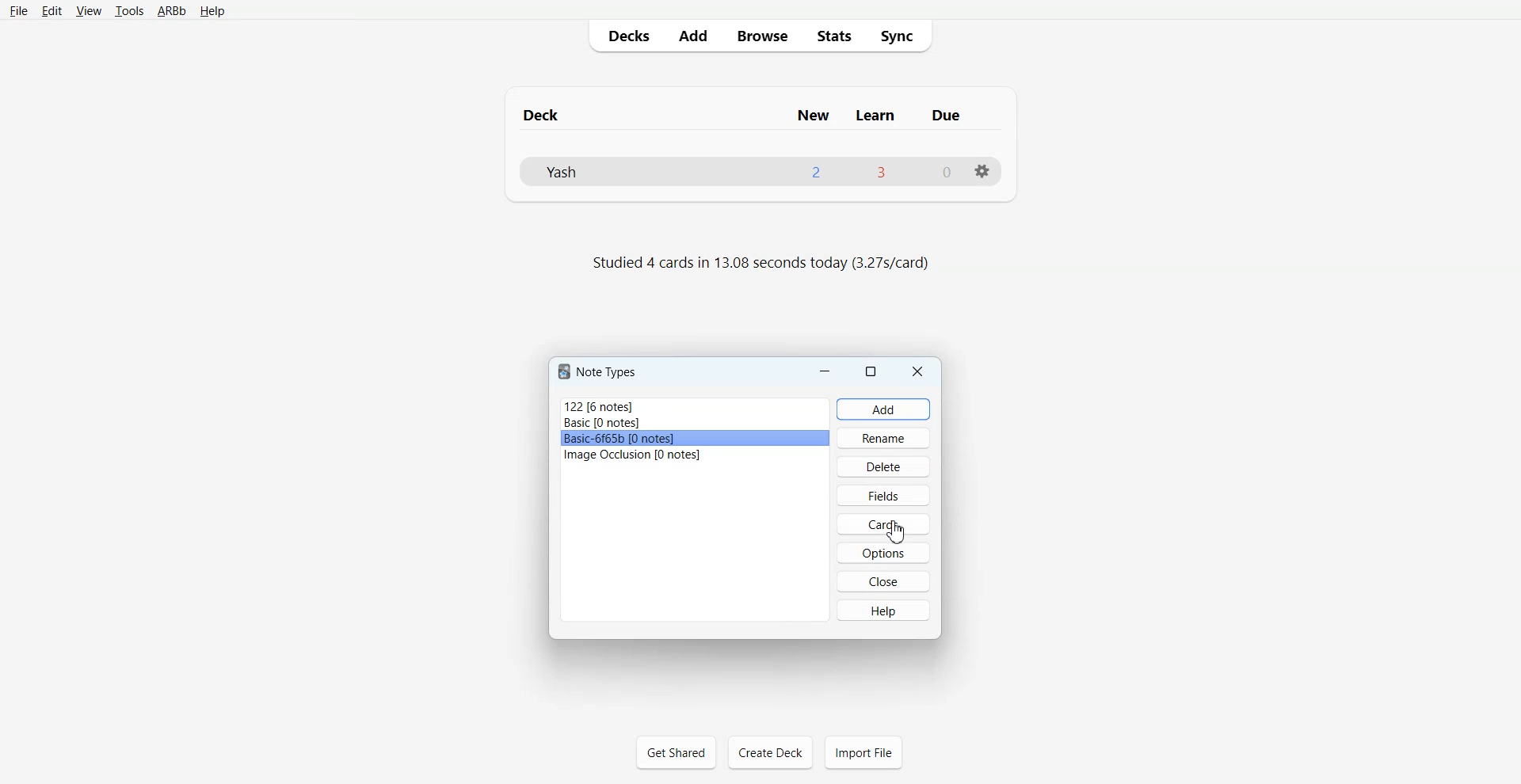 This screenshot has width=1521, height=784. I want to click on Options, so click(883, 552).